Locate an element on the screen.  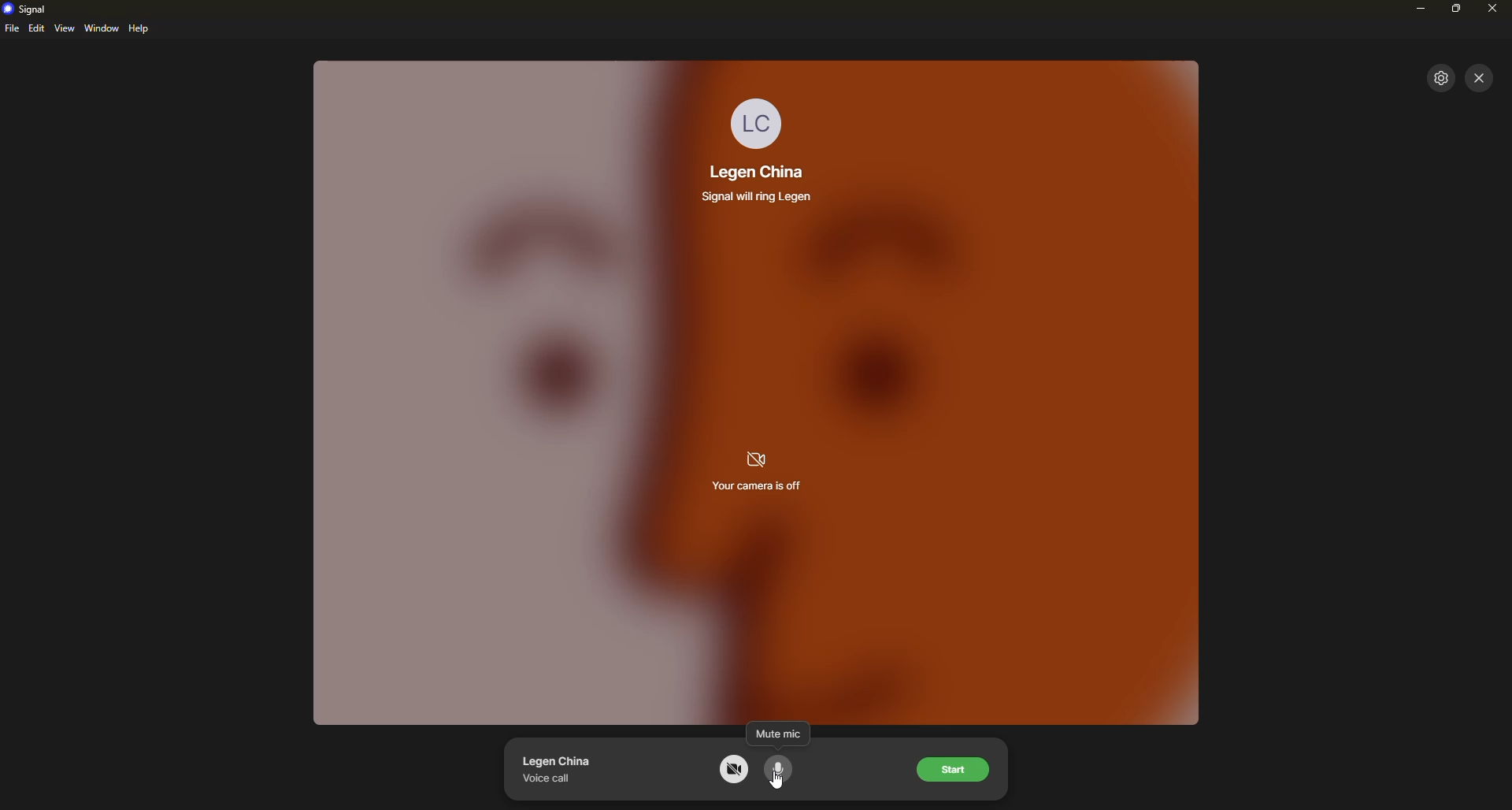
start is located at coordinates (955, 771).